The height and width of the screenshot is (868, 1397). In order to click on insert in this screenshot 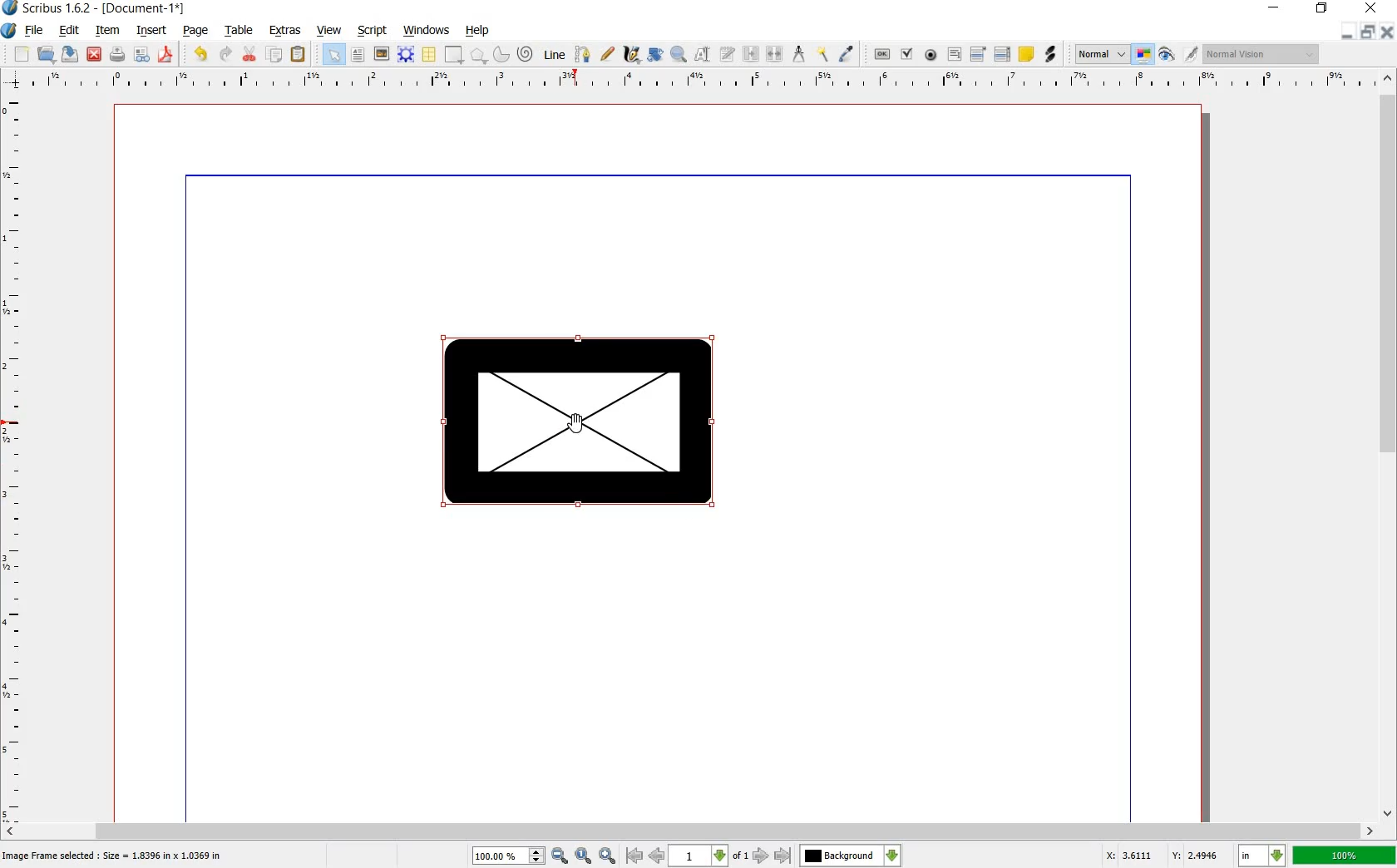, I will do `click(152, 32)`.